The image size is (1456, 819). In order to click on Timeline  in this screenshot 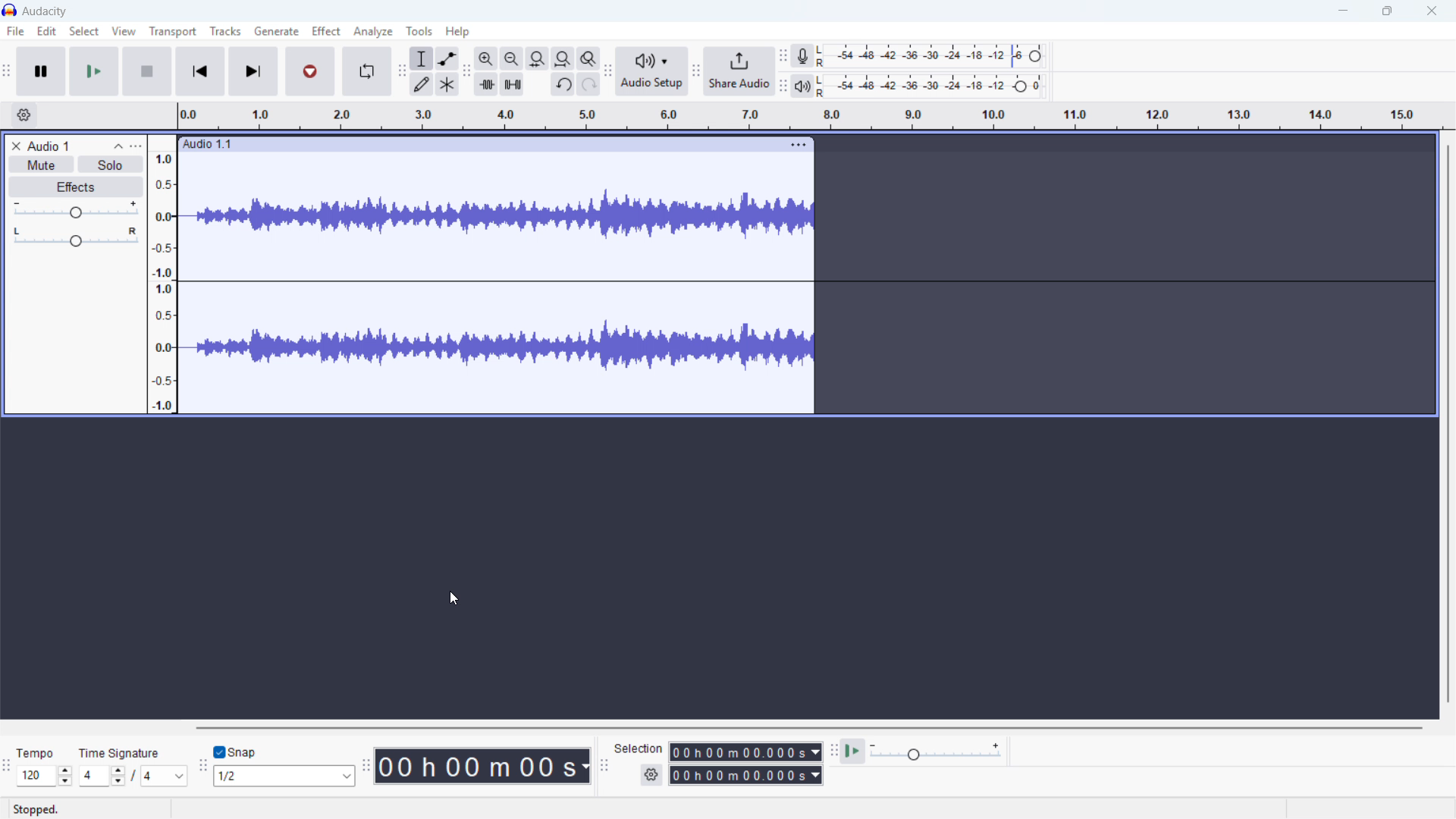, I will do `click(811, 116)`.